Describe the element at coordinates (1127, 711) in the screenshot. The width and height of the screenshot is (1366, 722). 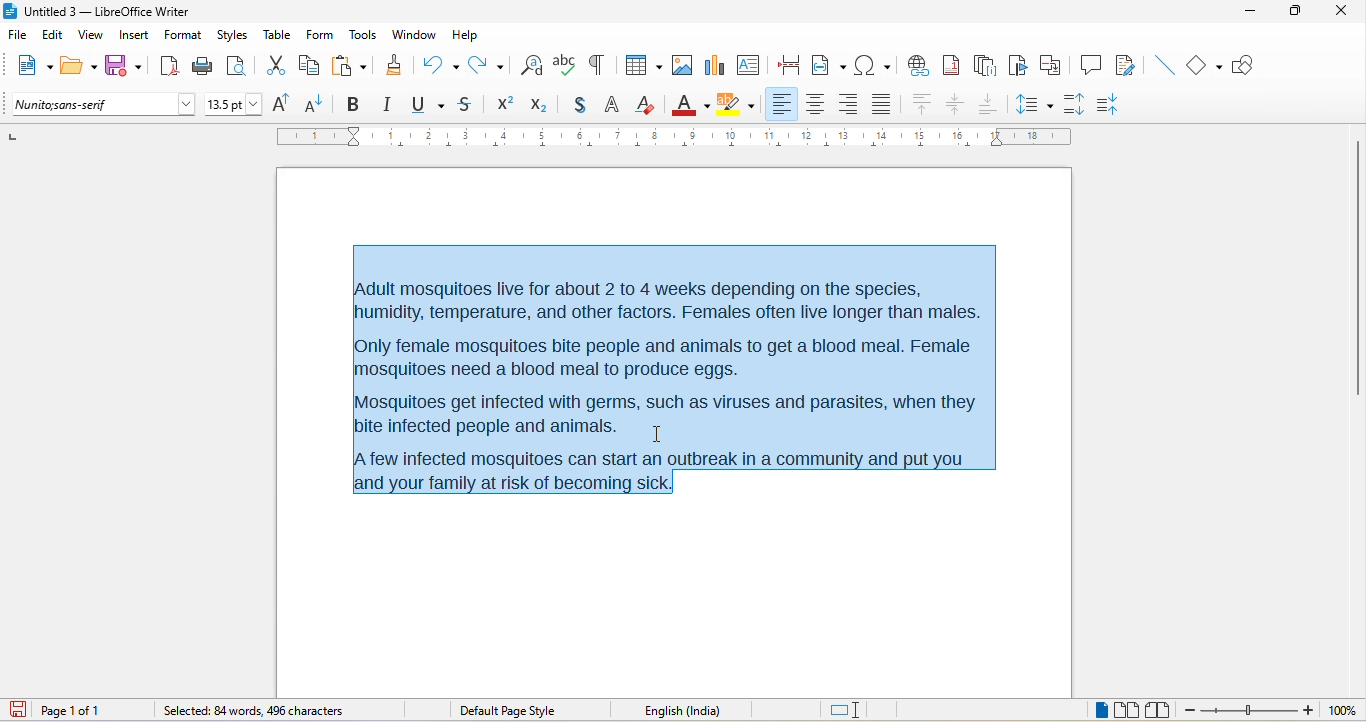
I see `multiple page view` at that location.